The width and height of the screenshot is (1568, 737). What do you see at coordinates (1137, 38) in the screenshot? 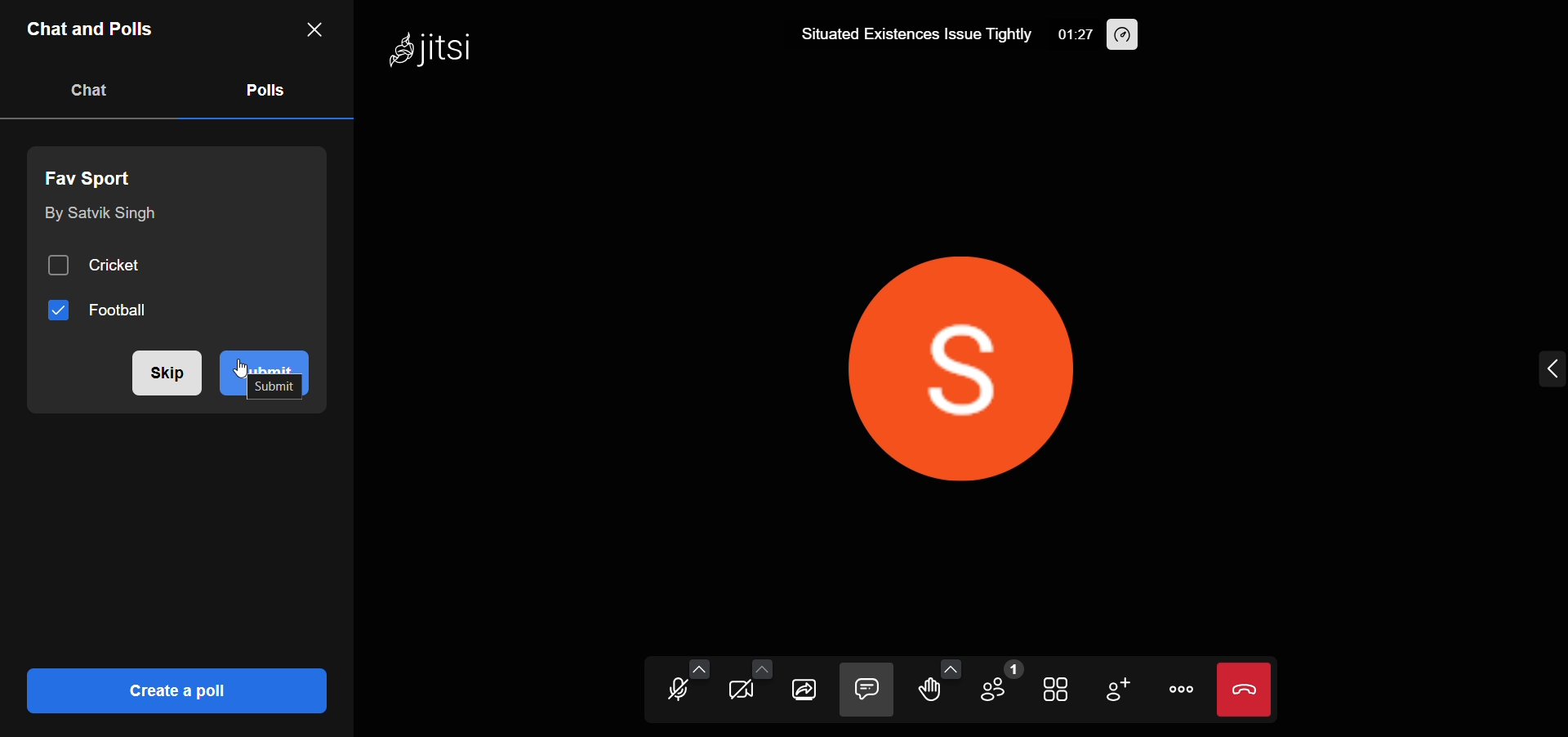
I see `performance setting` at bounding box center [1137, 38].